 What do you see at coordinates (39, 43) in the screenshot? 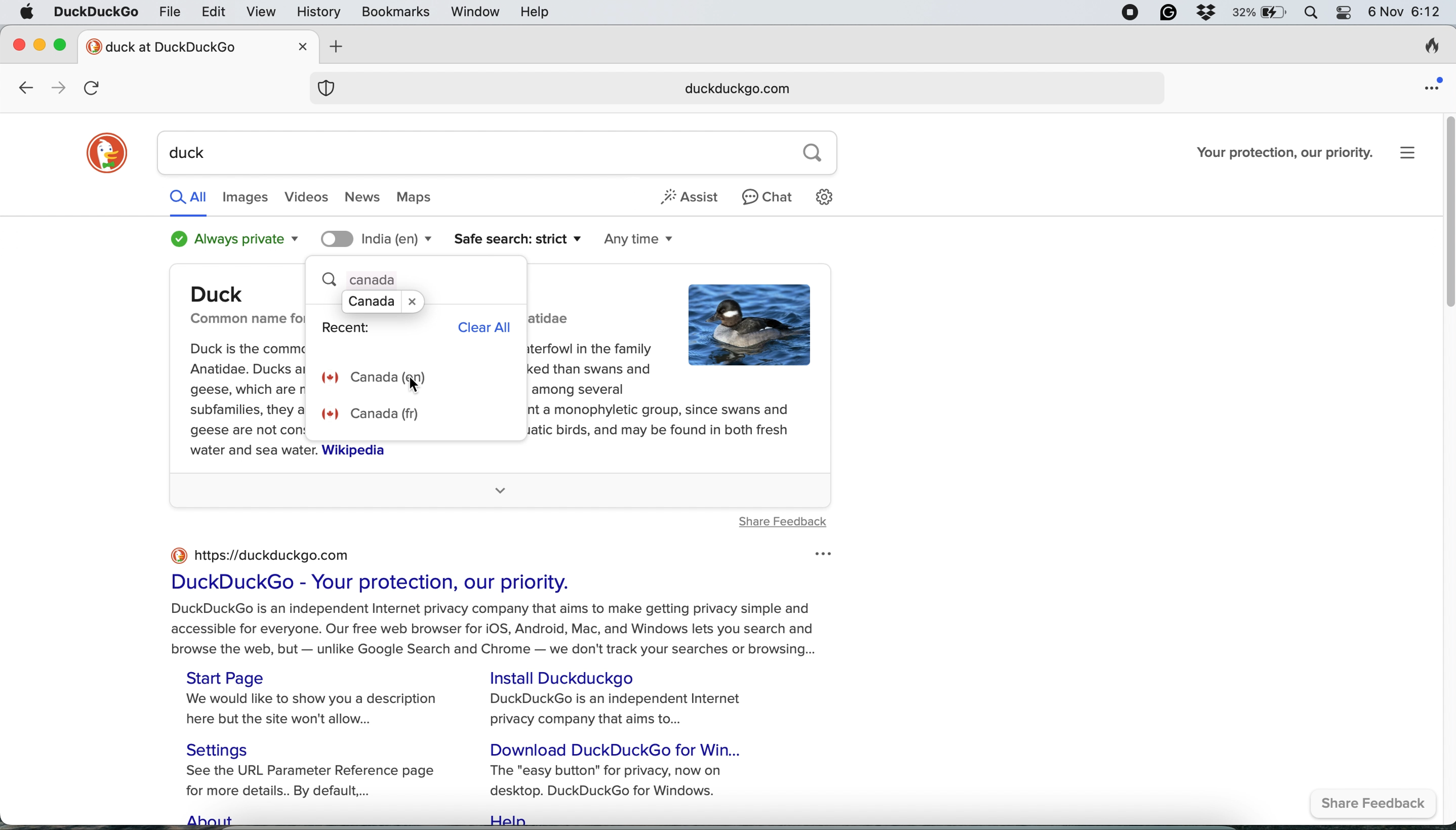
I see `minimise` at bounding box center [39, 43].